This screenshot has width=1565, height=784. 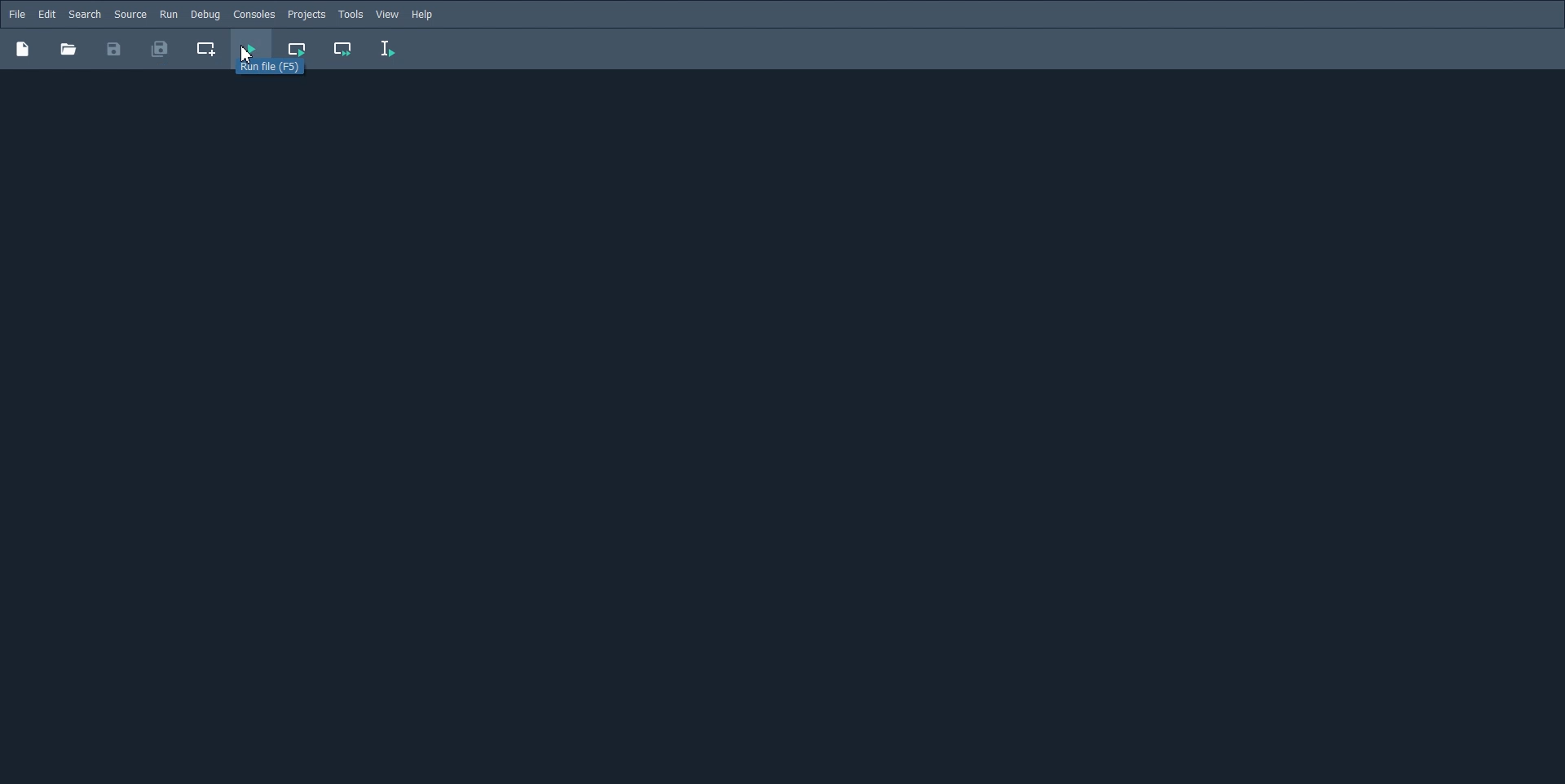 I want to click on Run File, so click(x=251, y=49).